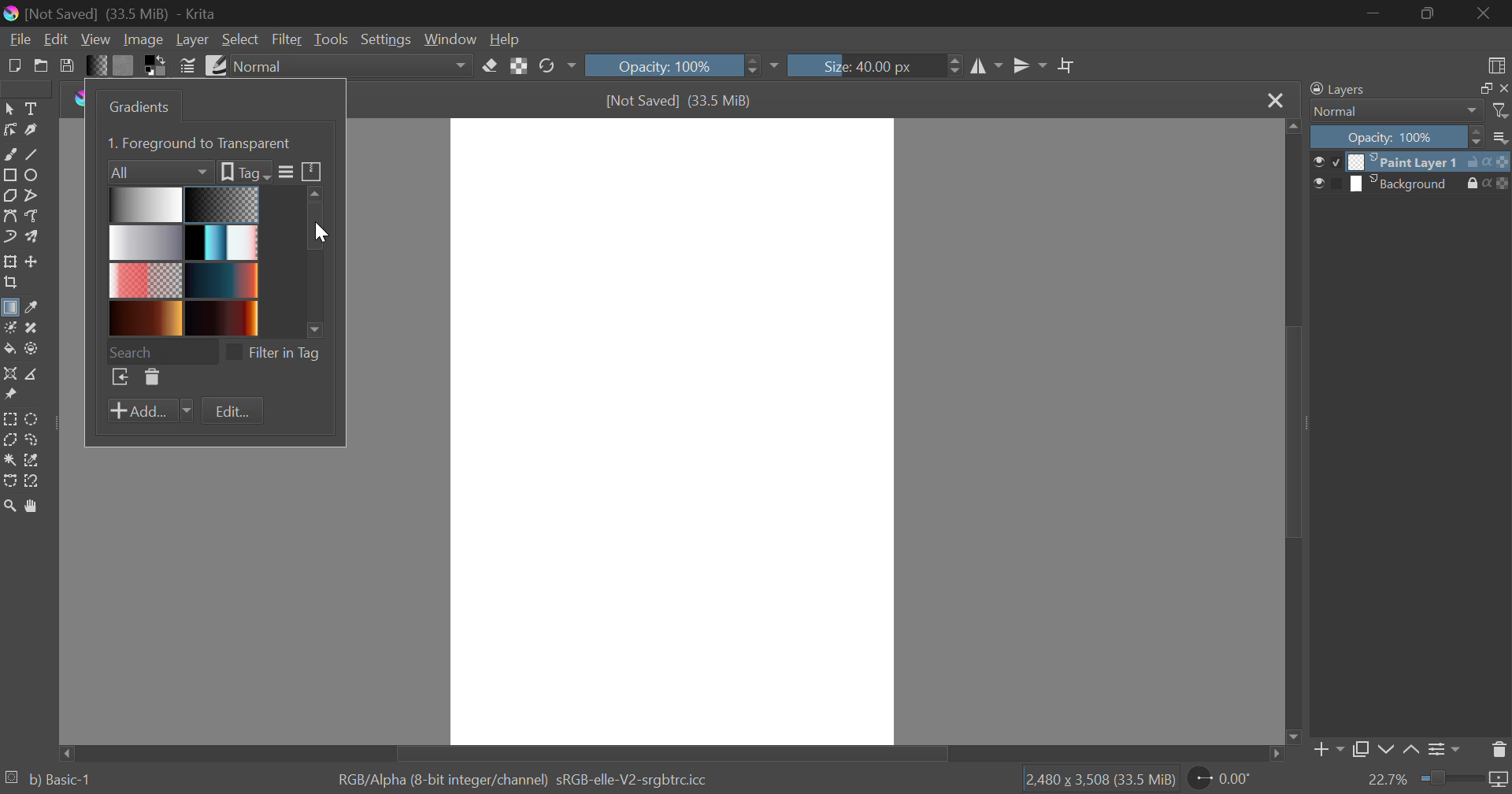 The image size is (1512, 794). I want to click on Rectangular Selection, so click(11, 420).